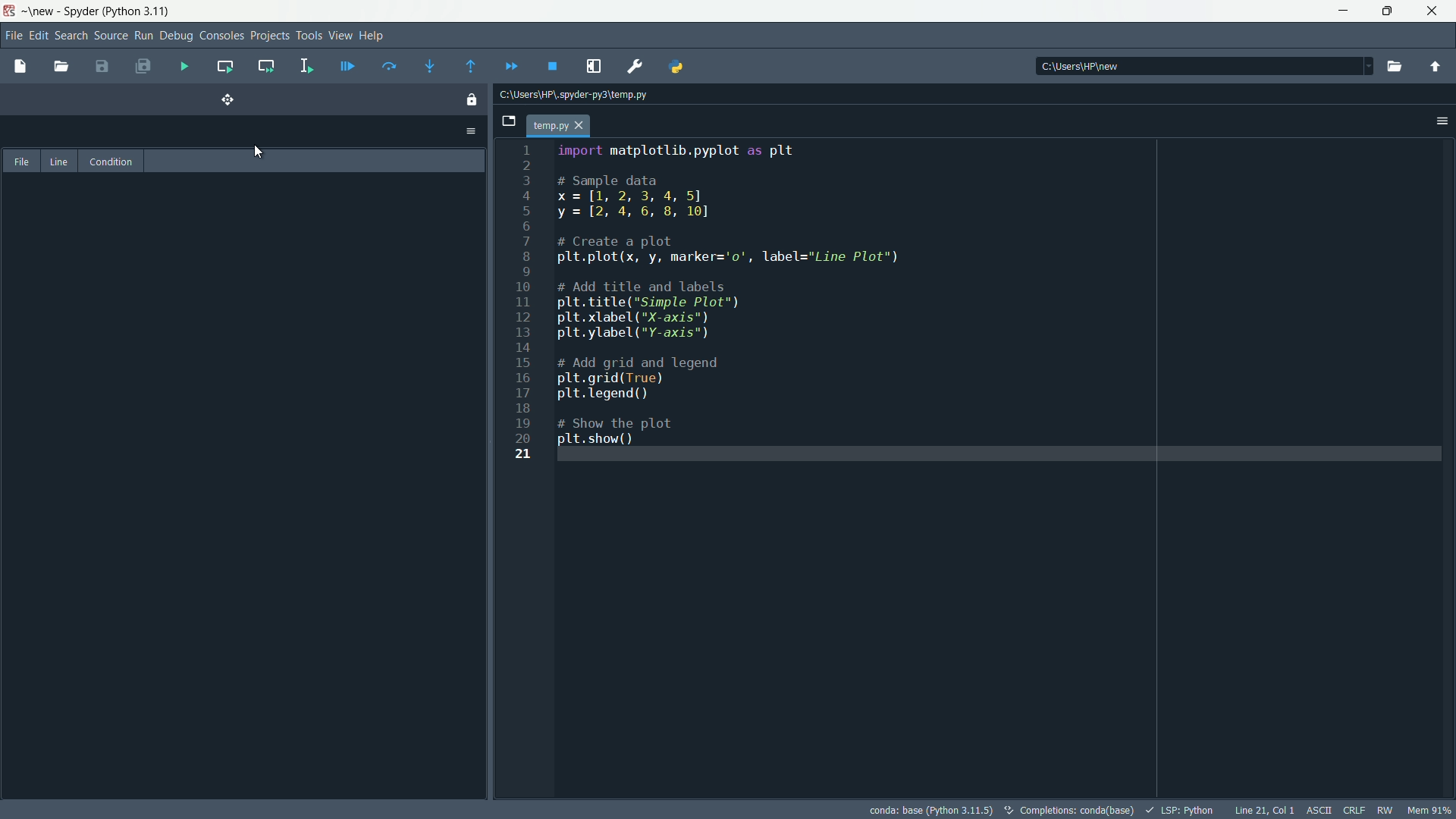 The width and height of the screenshot is (1456, 819). What do you see at coordinates (140, 10) in the screenshot?
I see `python 3.11` at bounding box center [140, 10].